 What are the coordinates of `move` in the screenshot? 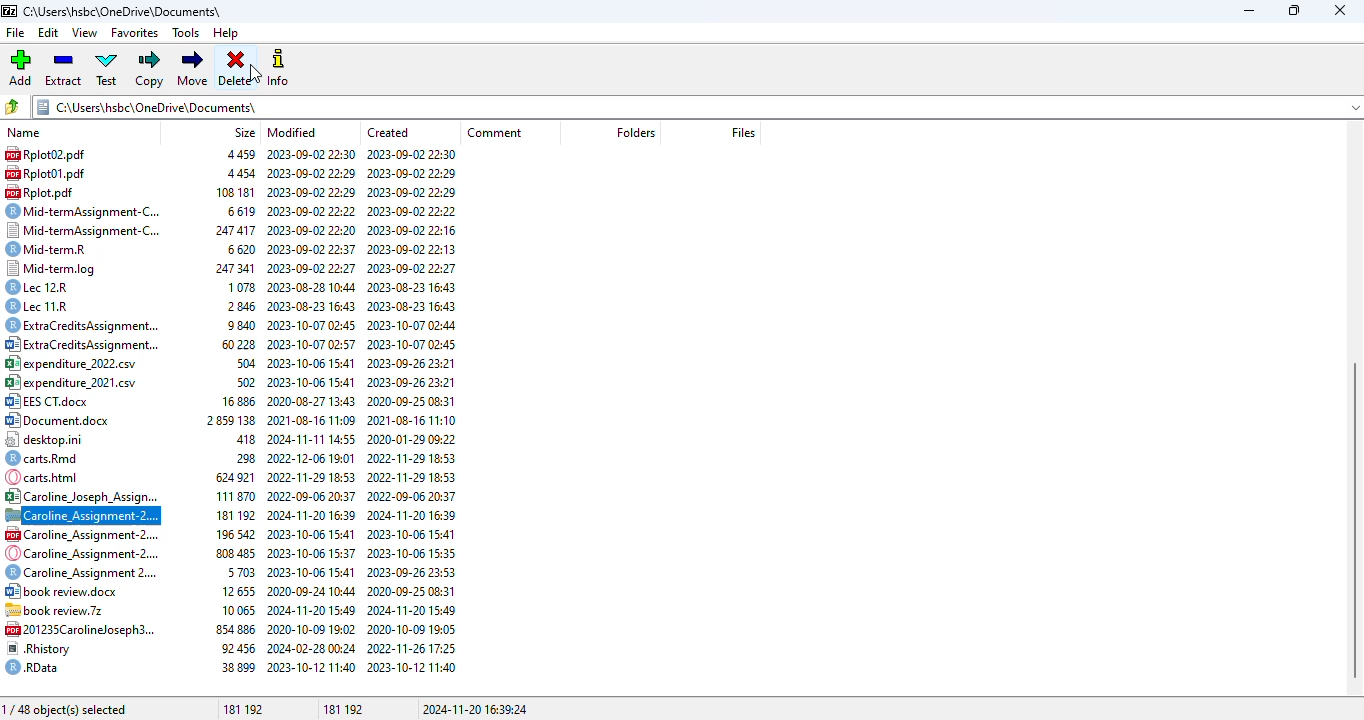 It's located at (193, 69).